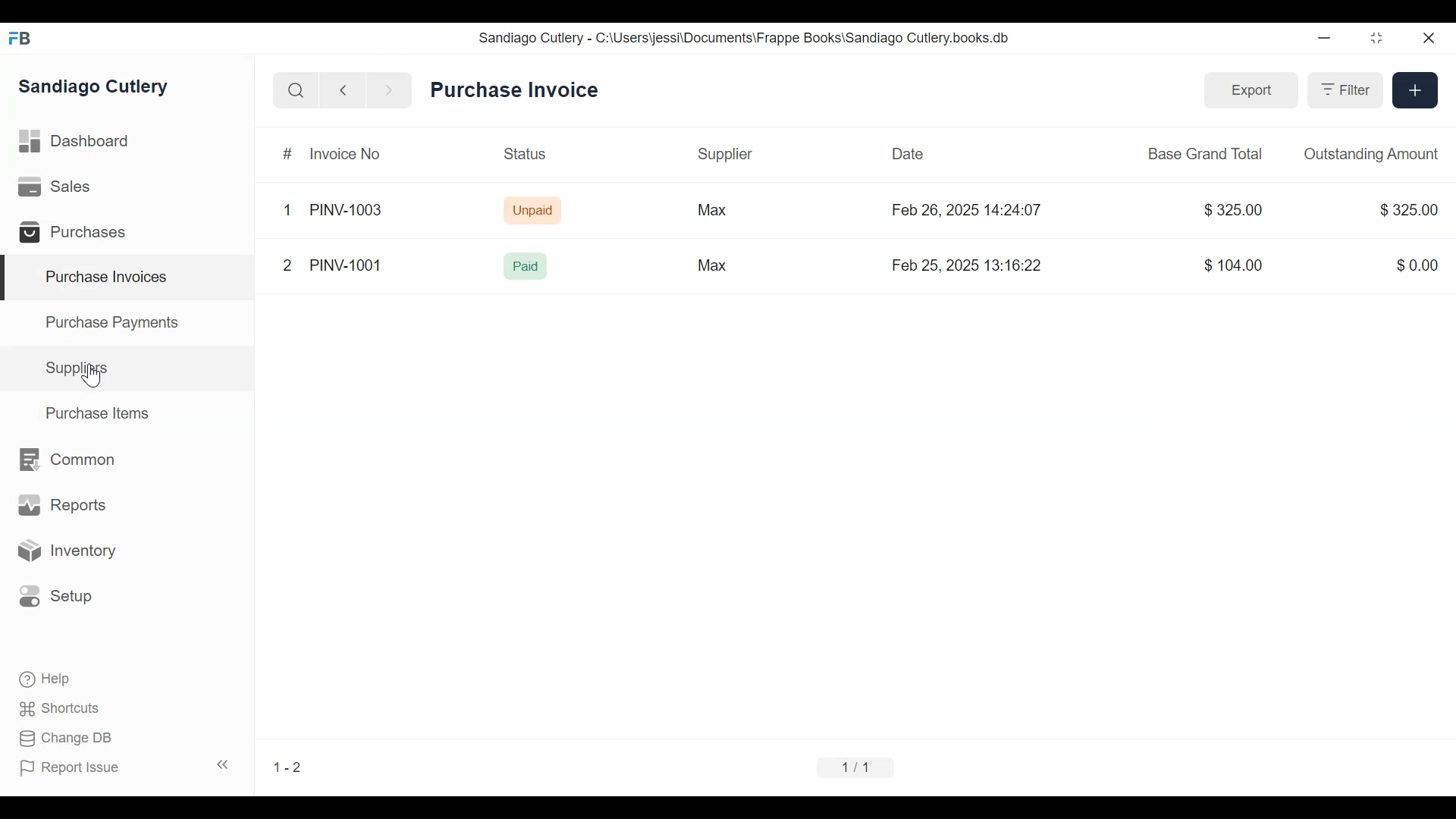 The width and height of the screenshot is (1456, 819). What do you see at coordinates (63, 596) in the screenshot?
I see `Setup` at bounding box center [63, 596].